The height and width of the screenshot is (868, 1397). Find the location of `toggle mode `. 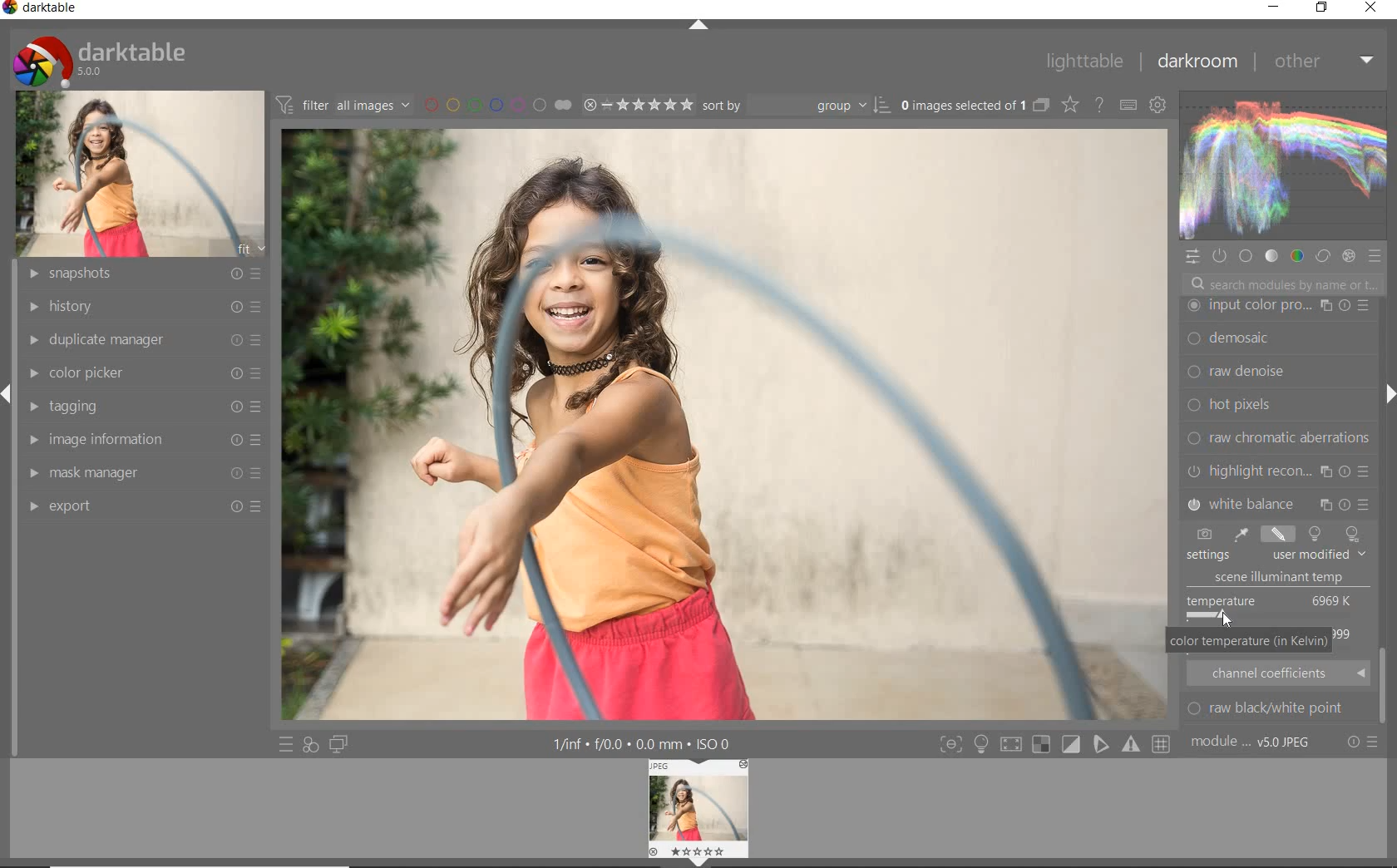

toggle mode  is located at coordinates (1044, 746).